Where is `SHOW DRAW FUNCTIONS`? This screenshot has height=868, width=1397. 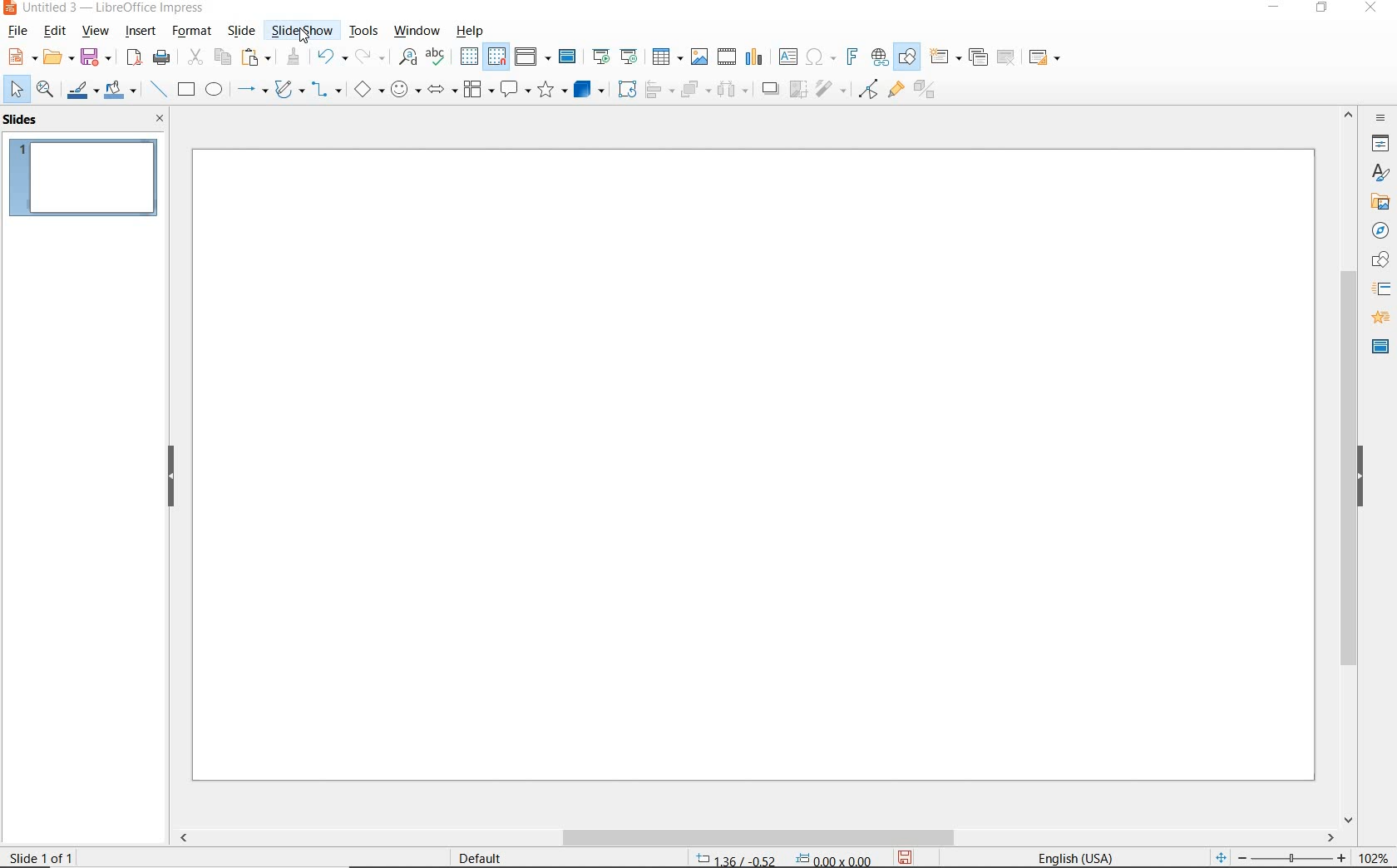 SHOW DRAW FUNCTIONS is located at coordinates (908, 55).